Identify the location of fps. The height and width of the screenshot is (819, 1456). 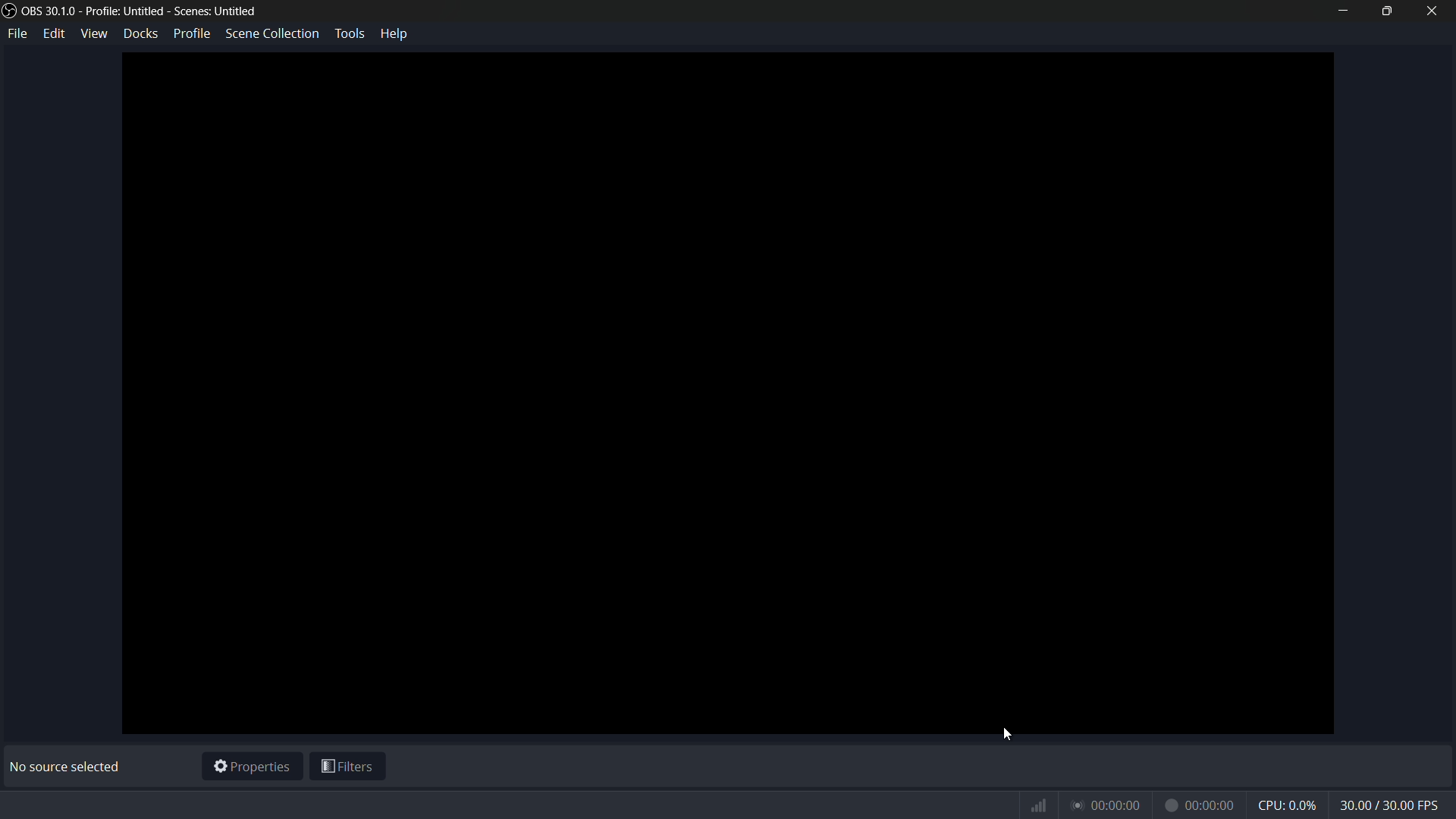
(1391, 806).